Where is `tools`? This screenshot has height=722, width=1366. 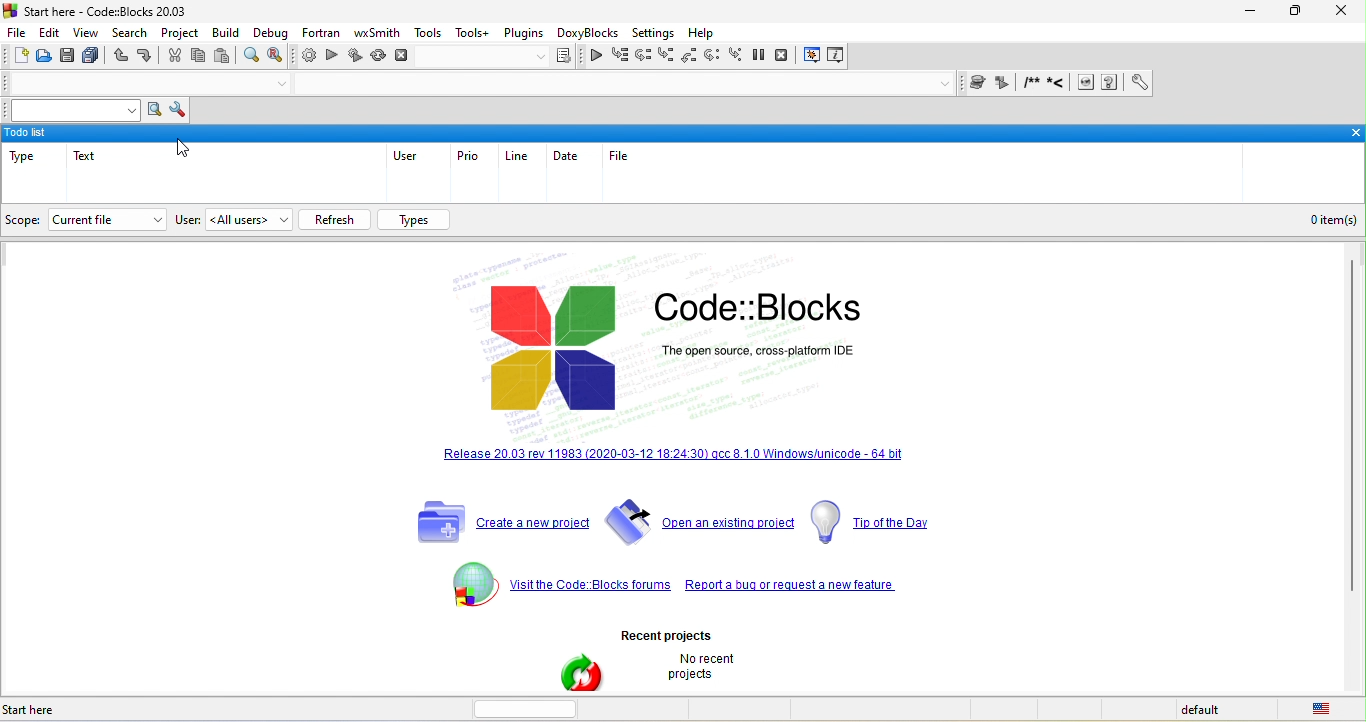 tools is located at coordinates (428, 33).